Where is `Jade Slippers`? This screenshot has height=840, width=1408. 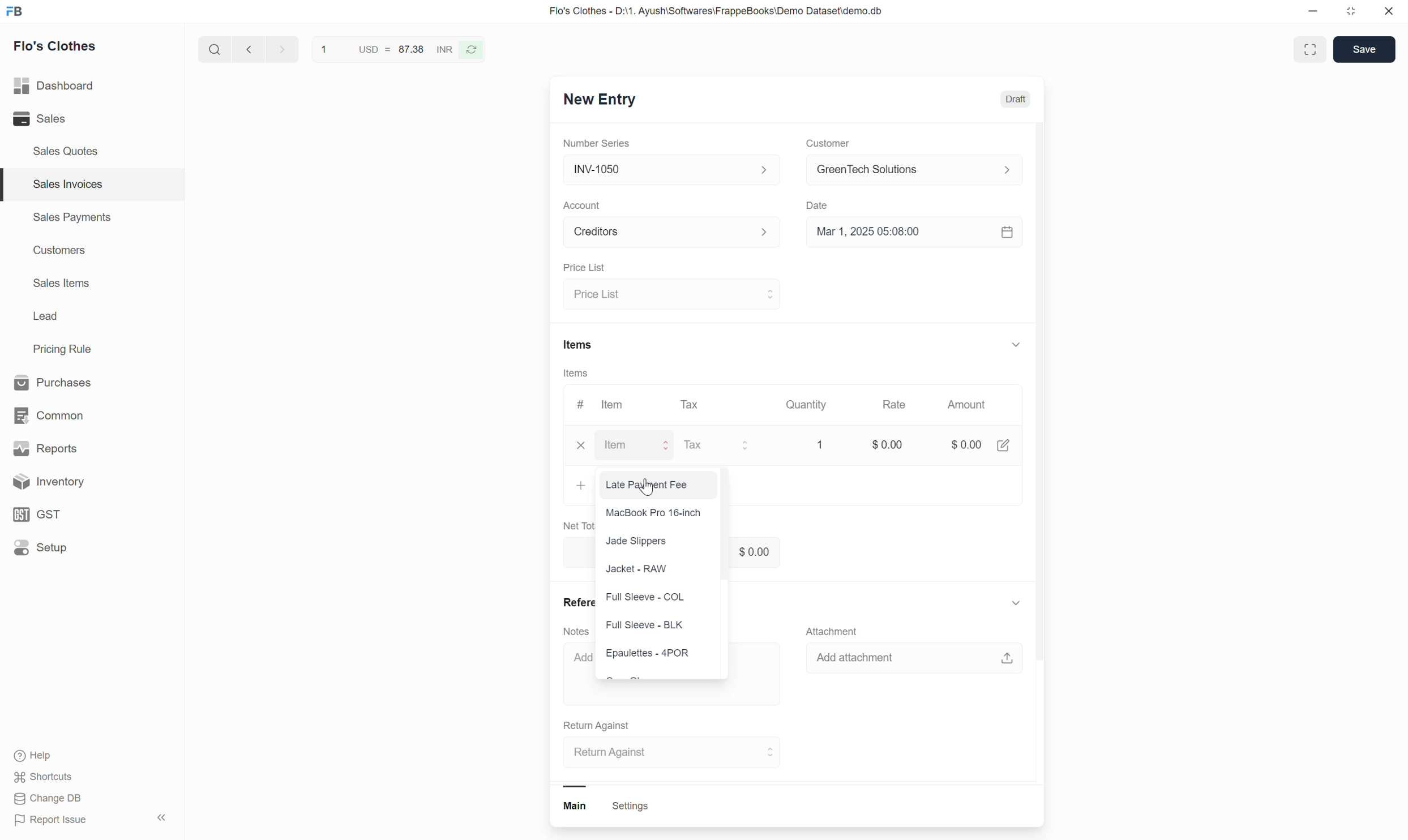
Jade Slippers is located at coordinates (639, 544).